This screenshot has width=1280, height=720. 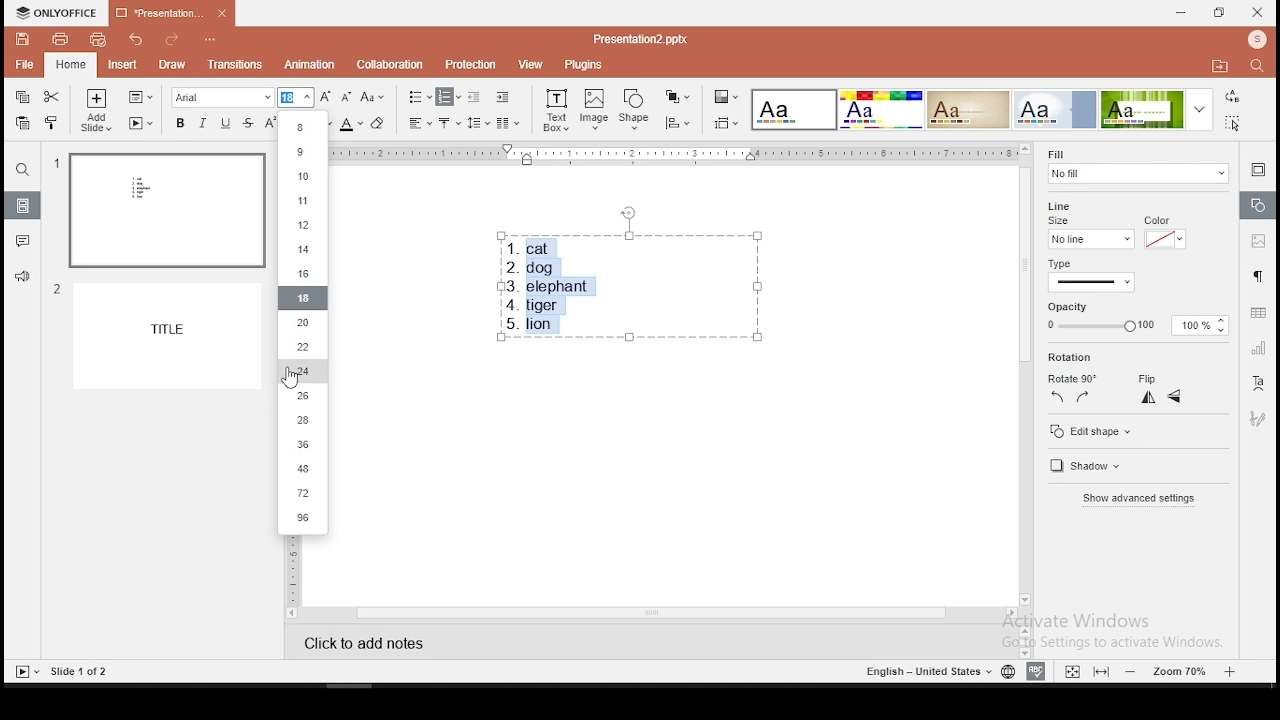 I want to click on chart settings, so click(x=1257, y=349).